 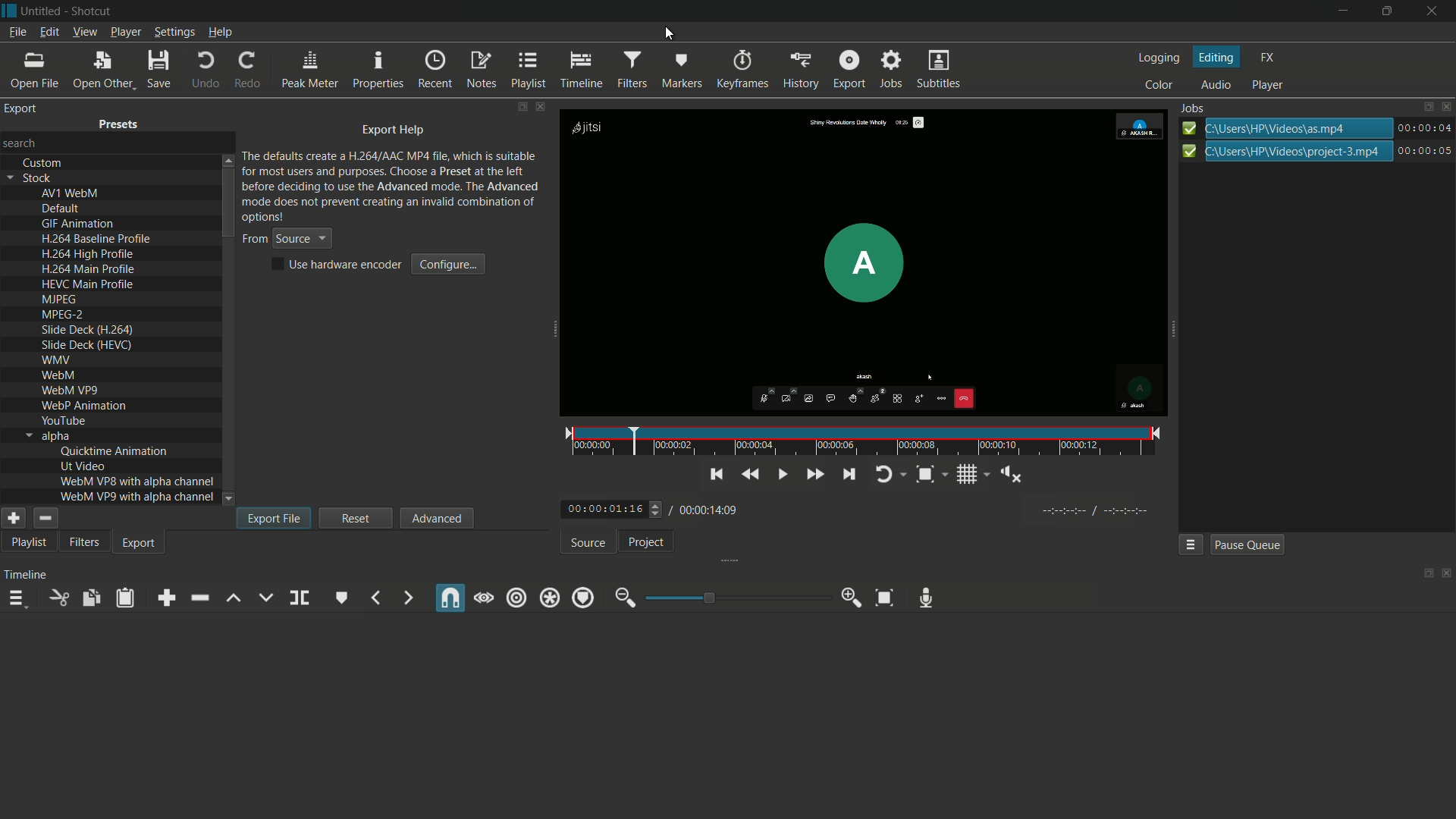 What do you see at coordinates (309, 71) in the screenshot?
I see `peak meter` at bounding box center [309, 71].